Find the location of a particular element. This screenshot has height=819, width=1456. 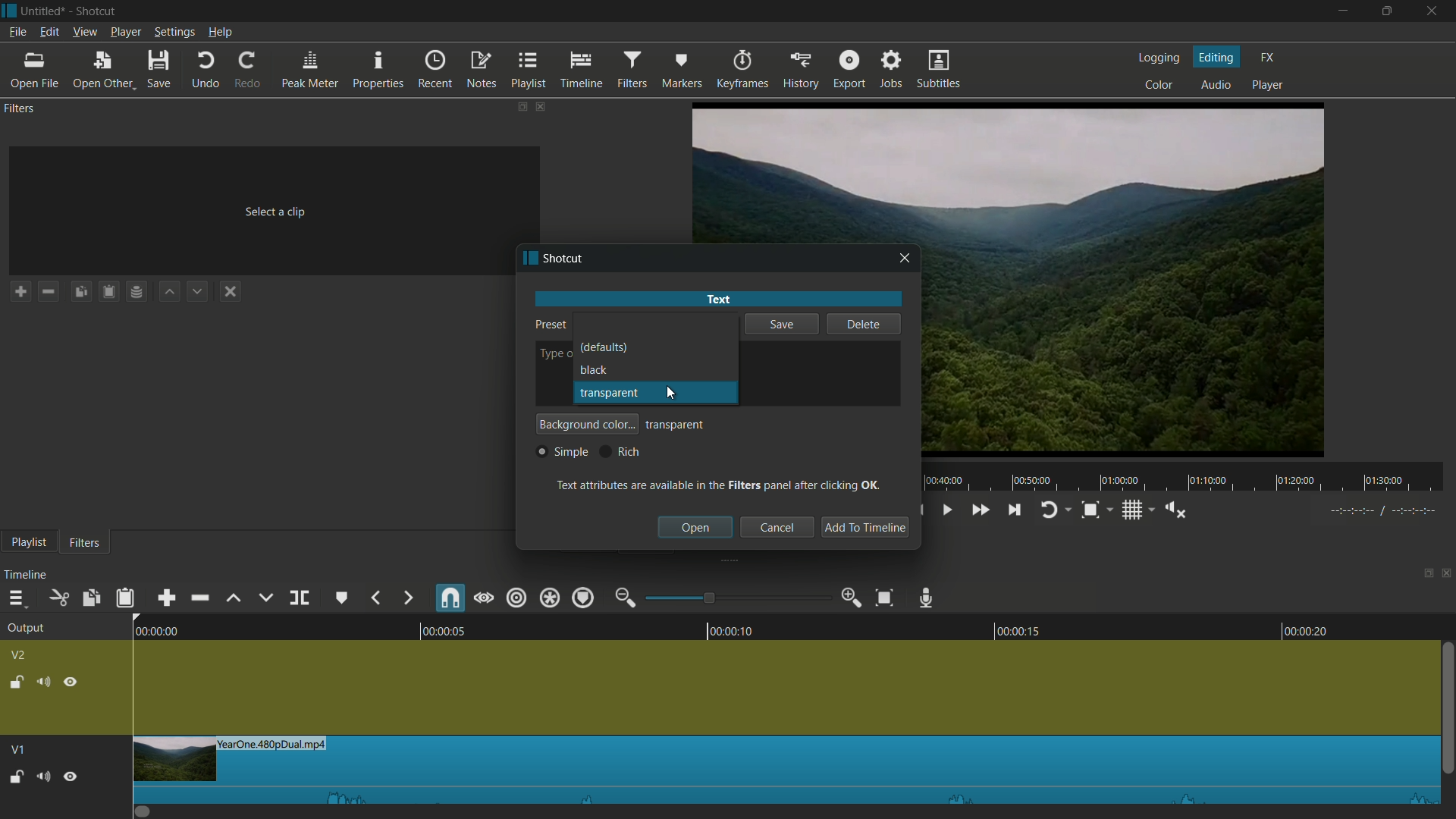

undo is located at coordinates (206, 71).